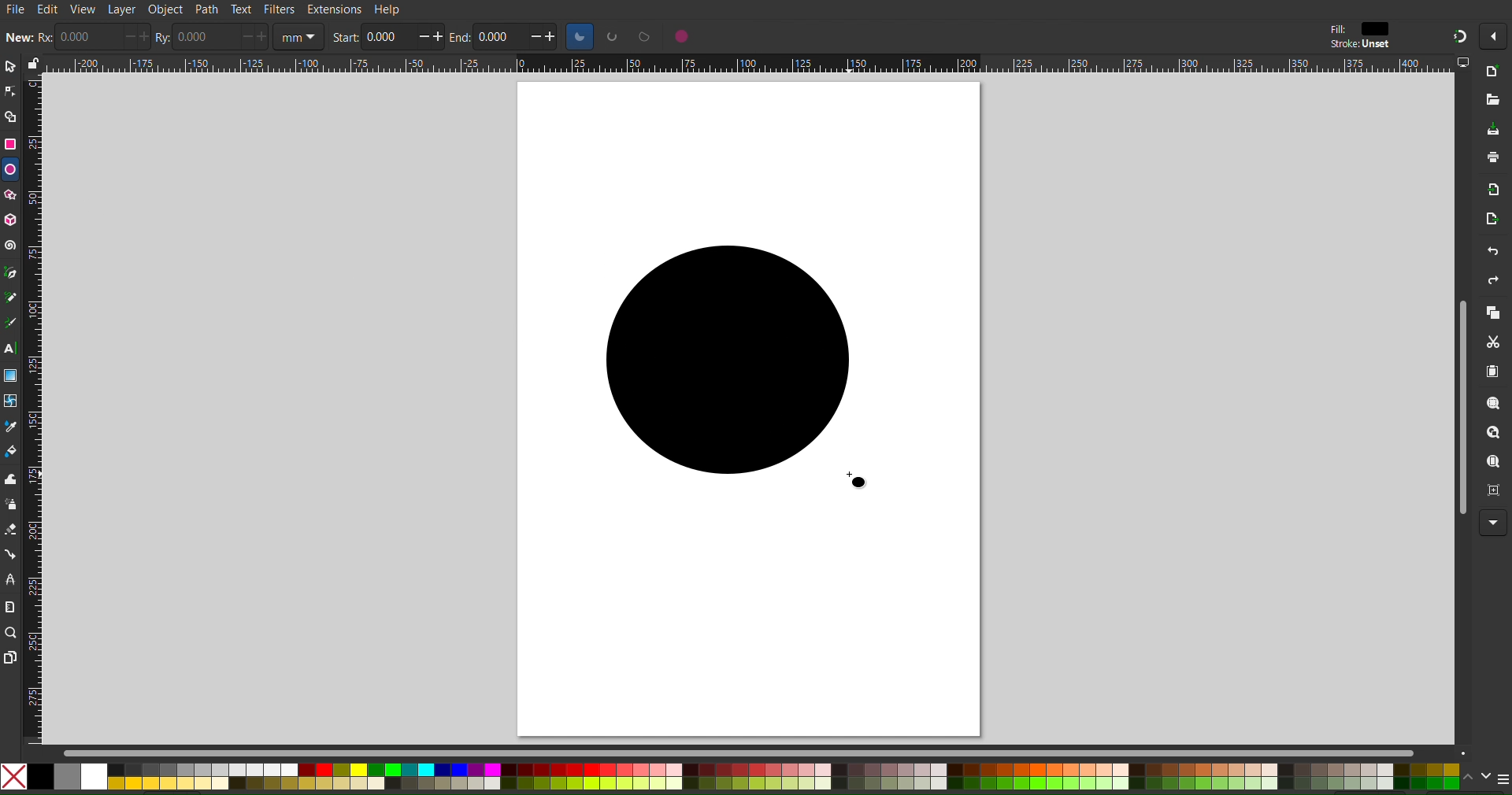  I want to click on Edit, so click(48, 9).